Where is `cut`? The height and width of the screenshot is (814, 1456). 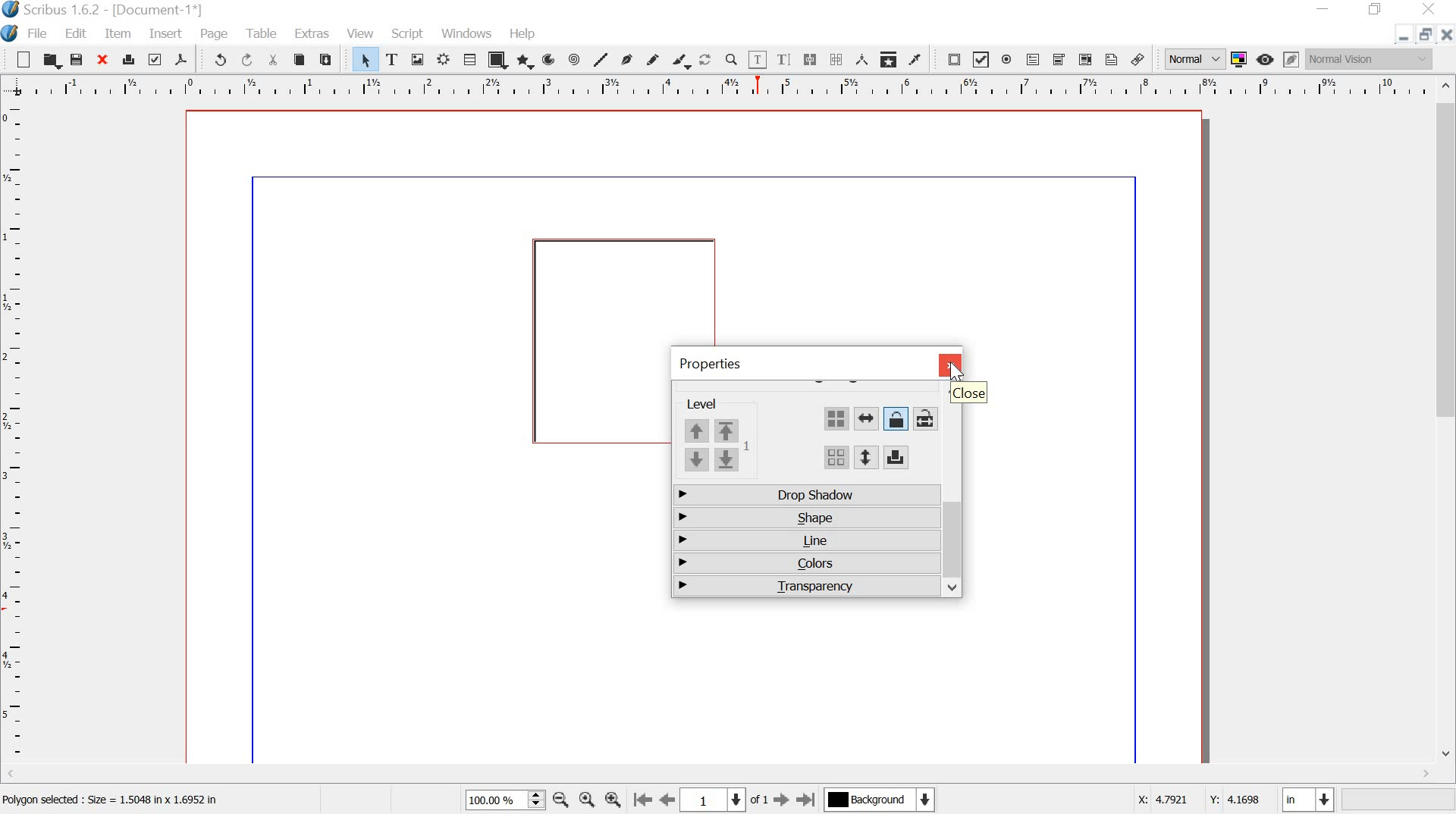 cut is located at coordinates (272, 59).